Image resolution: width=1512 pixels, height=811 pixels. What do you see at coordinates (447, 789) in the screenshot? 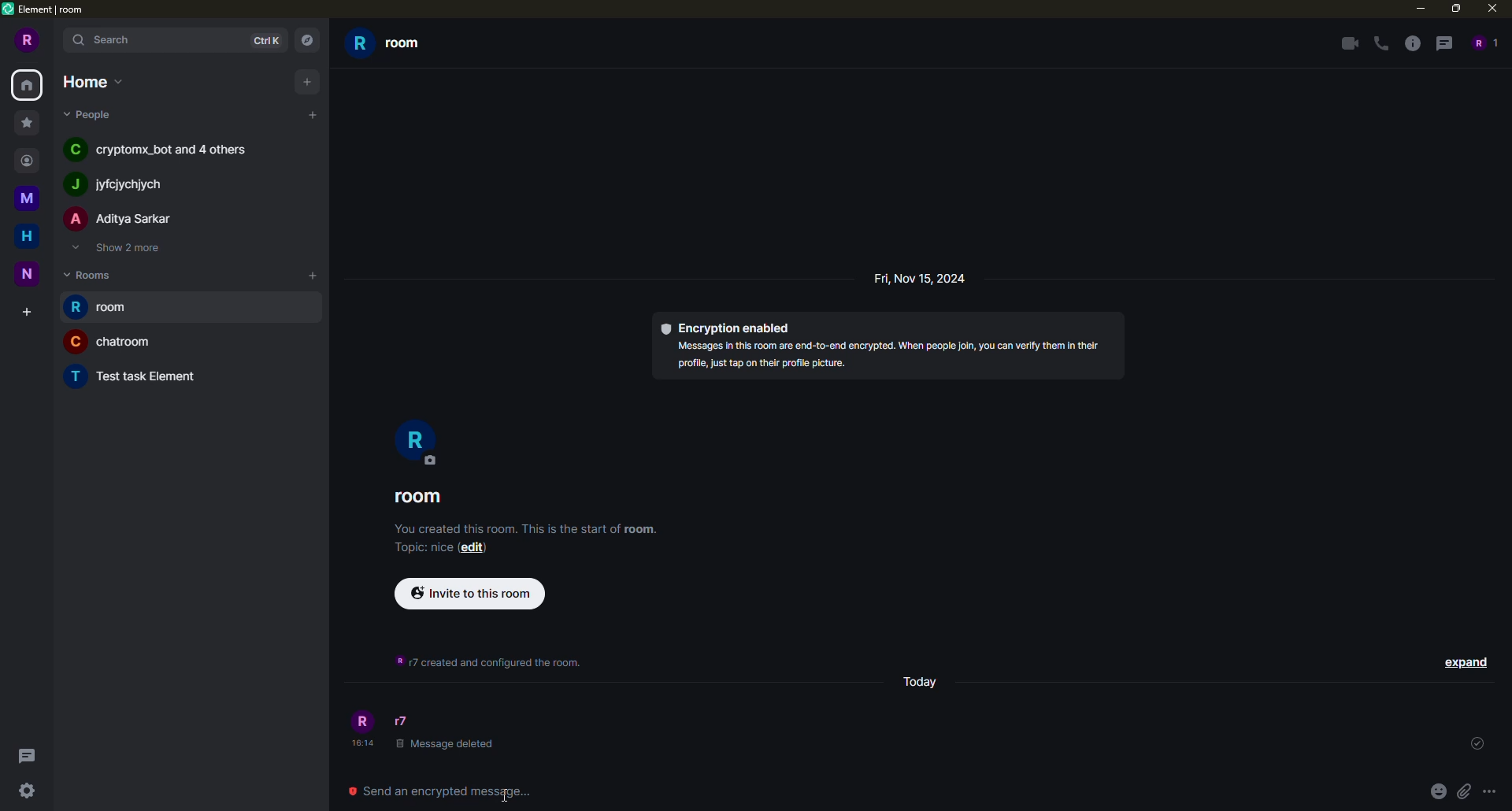
I see `send encrypted message` at bounding box center [447, 789].